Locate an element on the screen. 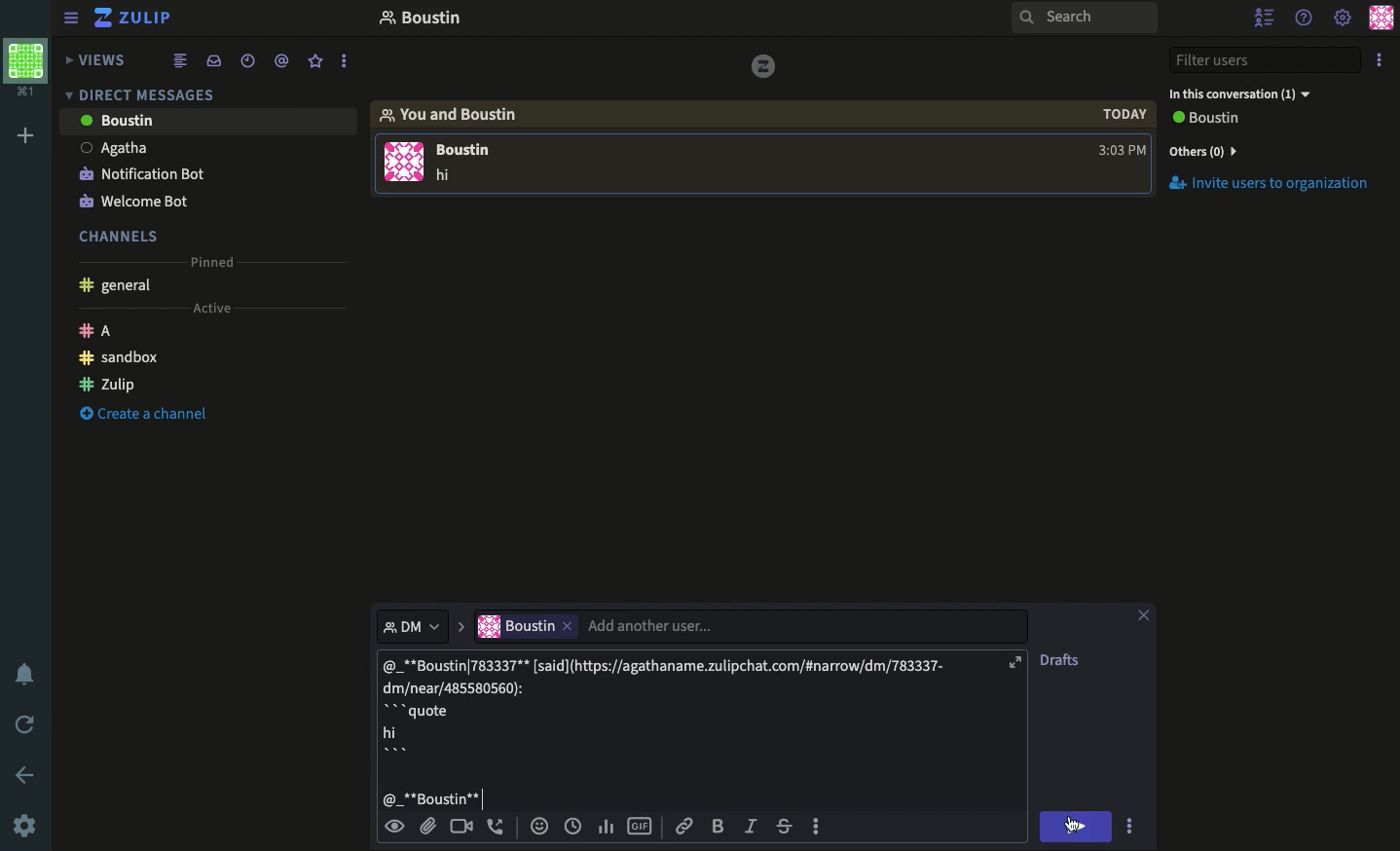  Phone call is located at coordinates (500, 827).